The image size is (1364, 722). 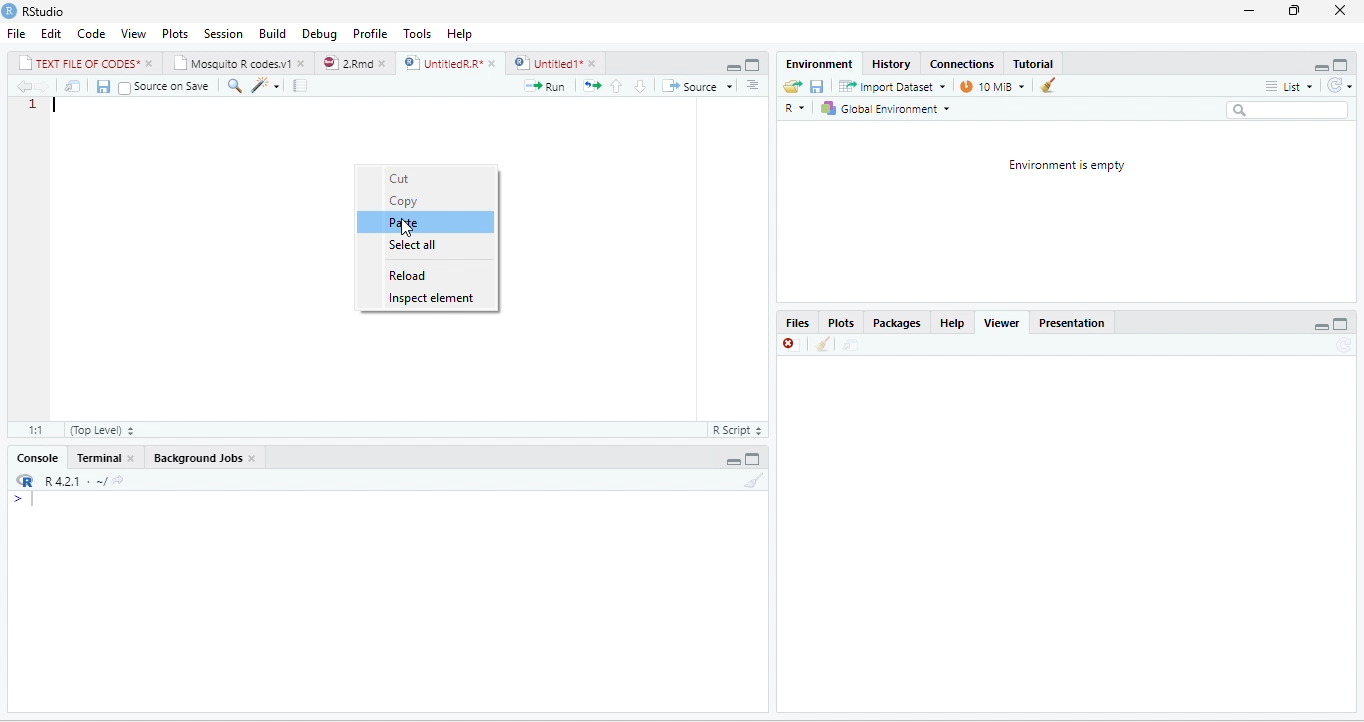 What do you see at coordinates (34, 458) in the screenshot?
I see `Console` at bounding box center [34, 458].